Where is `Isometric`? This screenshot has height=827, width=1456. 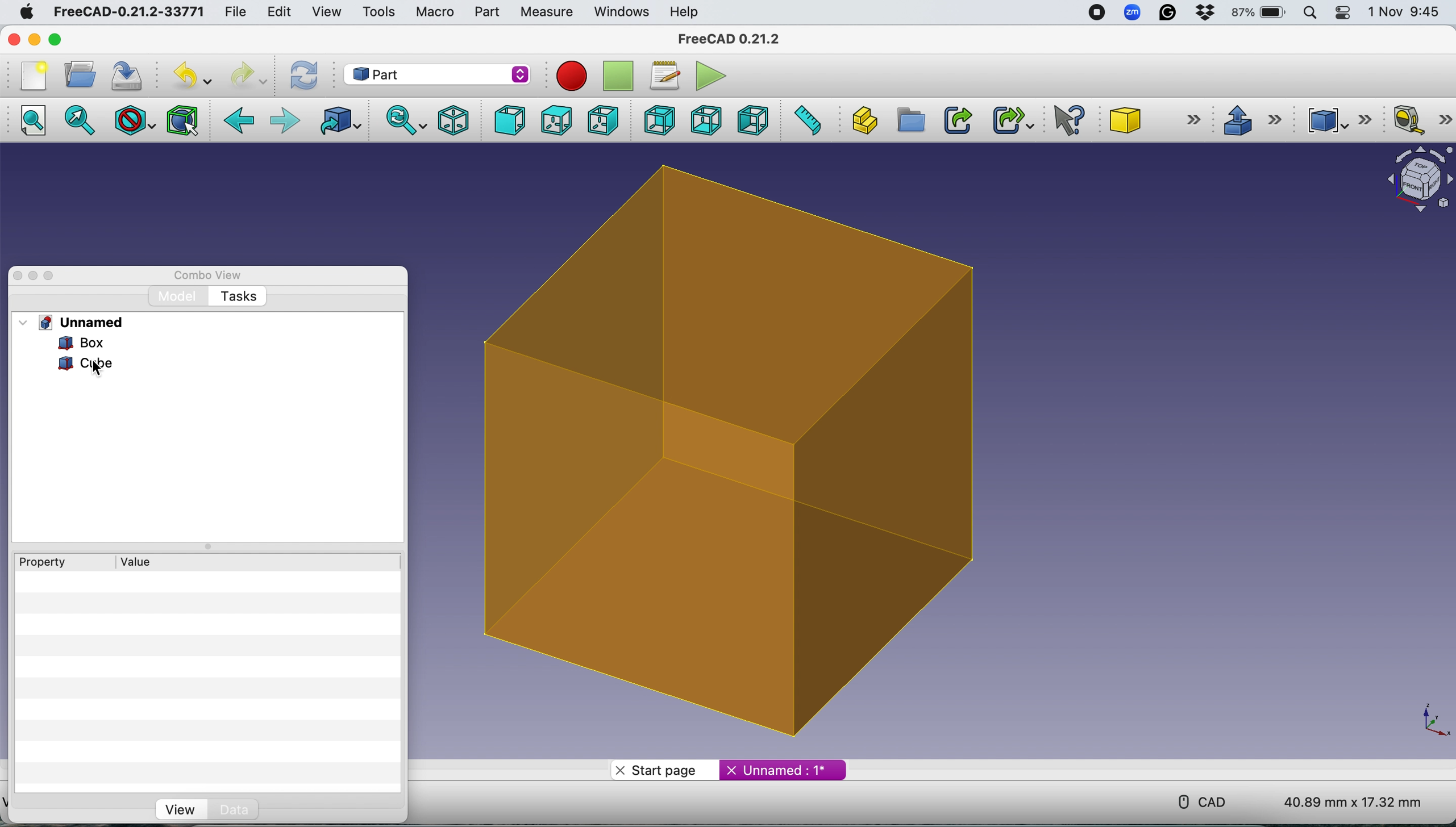
Isometric is located at coordinates (454, 119).